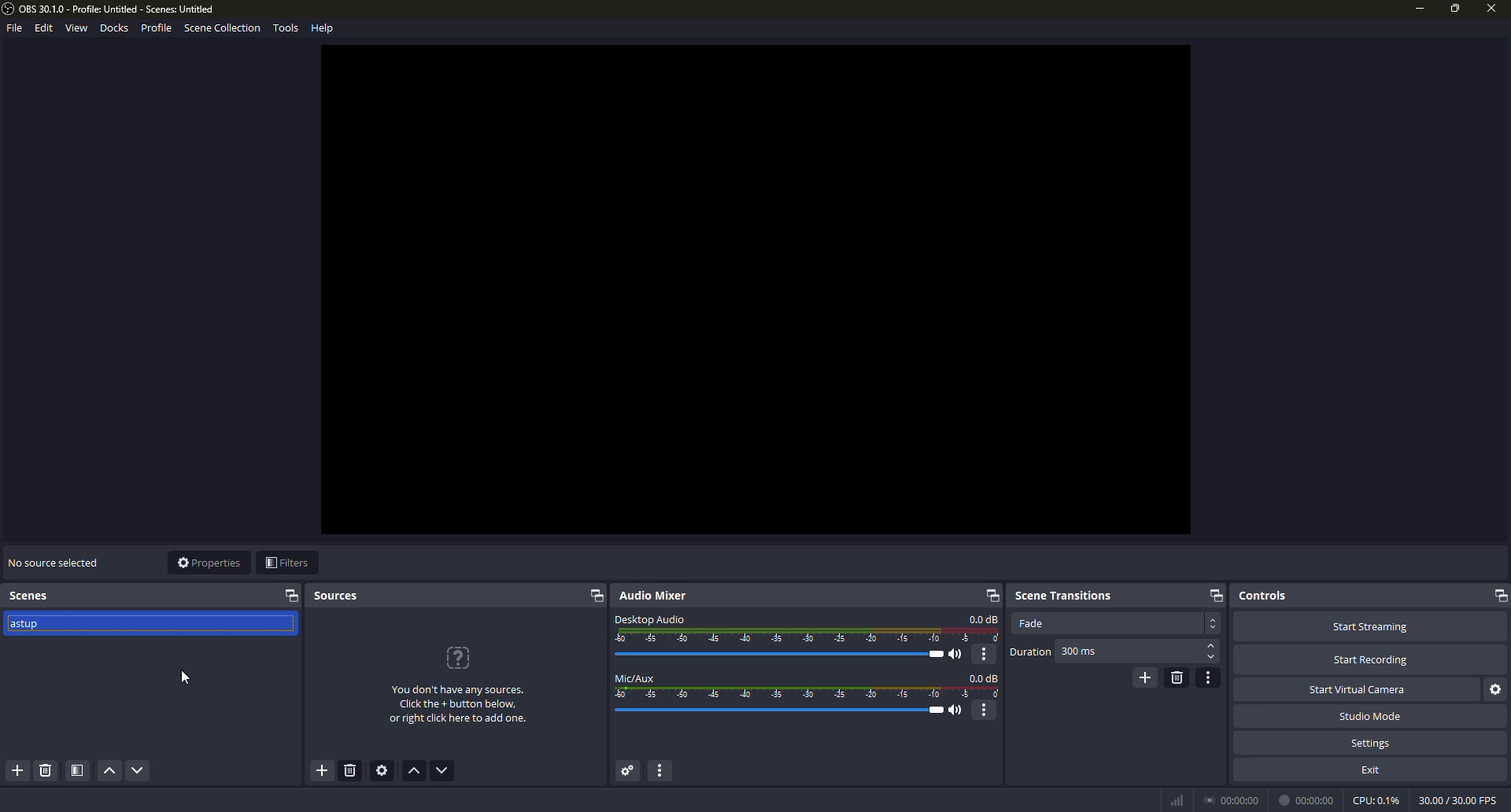 The height and width of the screenshot is (812, 1511). What do you see at coordinates (353, 773) in the screenshot?
I see `remove selected source` at bounding box center [353, 773].